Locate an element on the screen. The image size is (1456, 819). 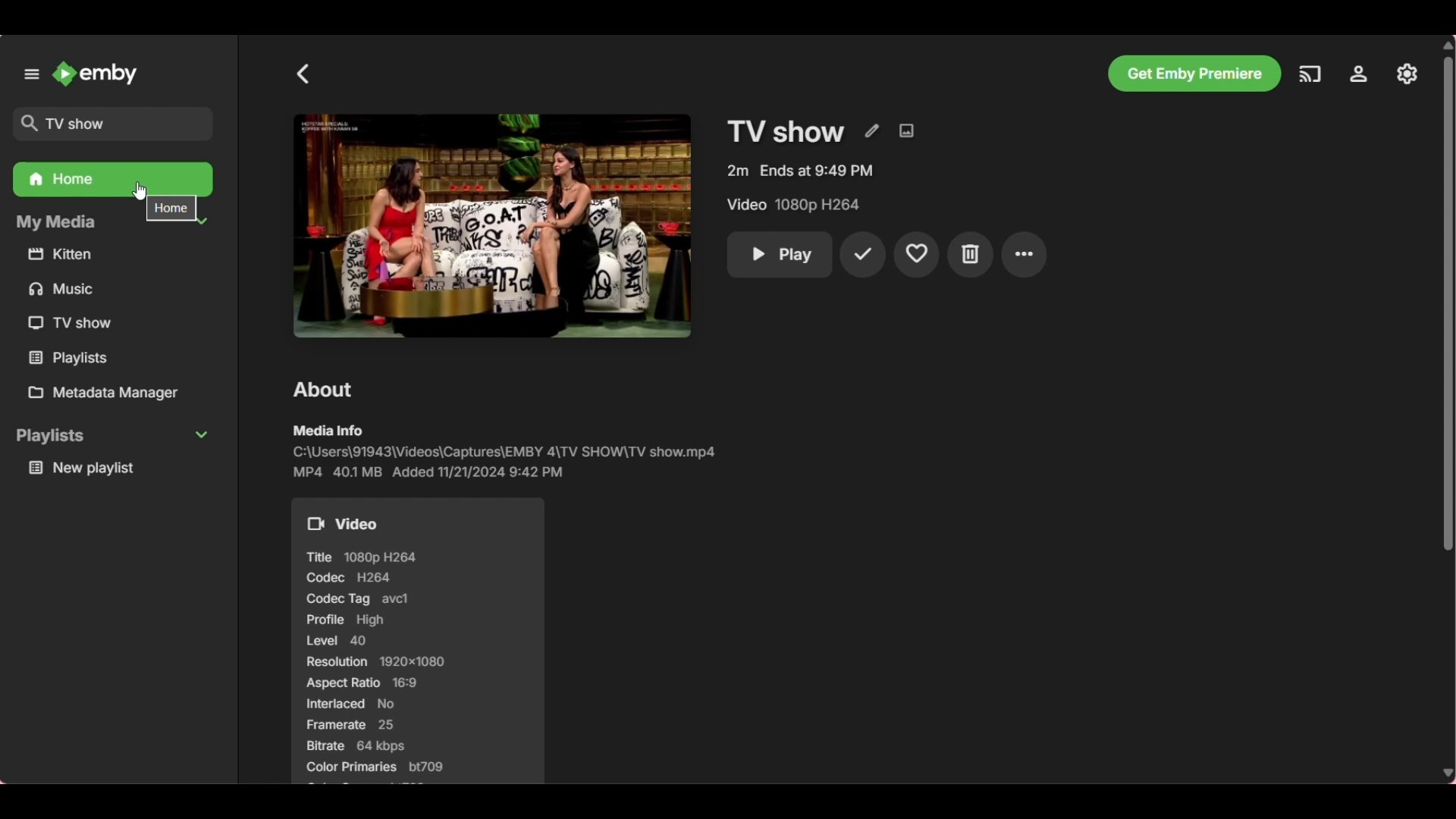
Edit images is located at coordinates (907, 131).